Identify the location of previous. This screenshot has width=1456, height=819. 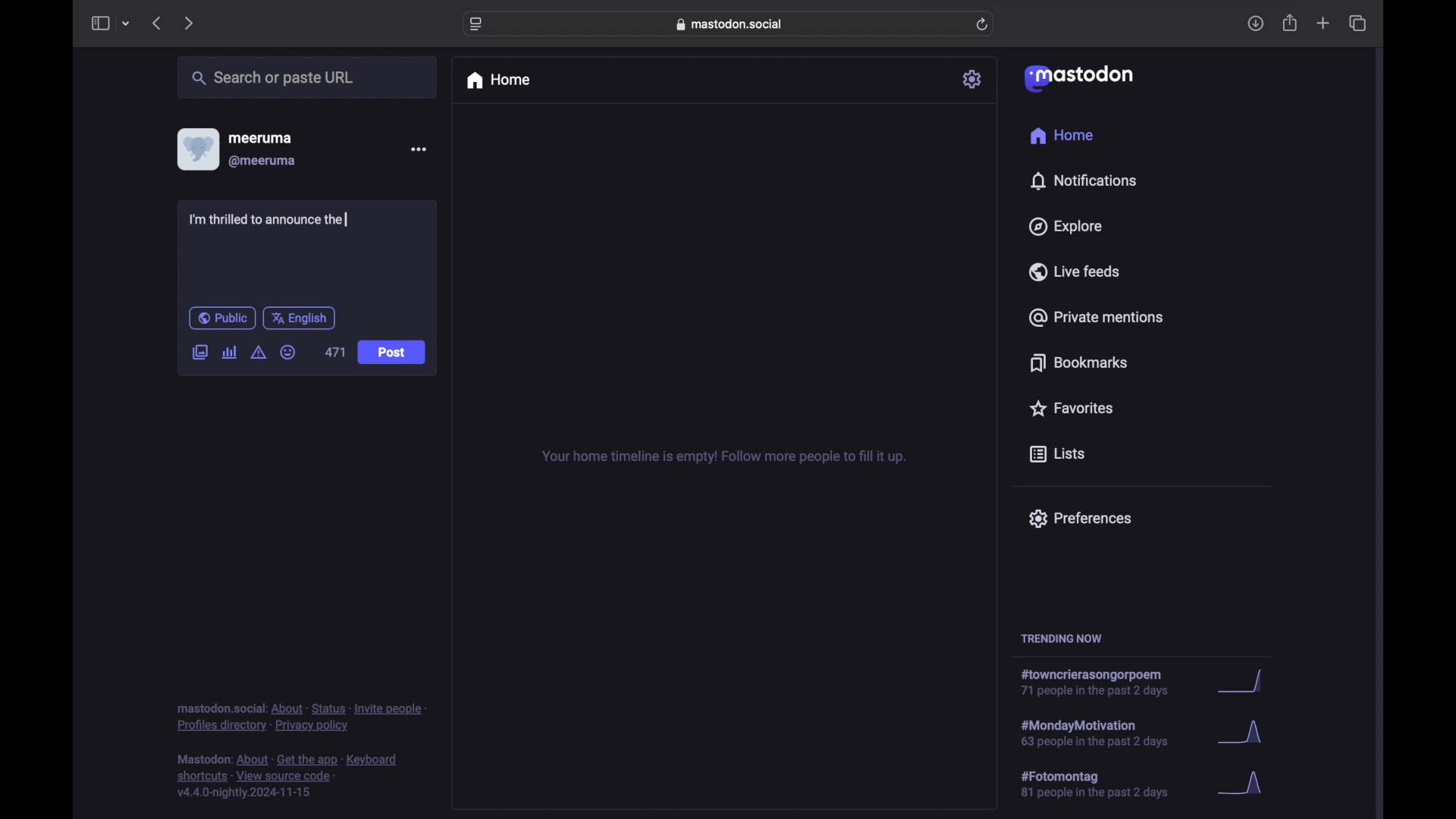
(156, 23).